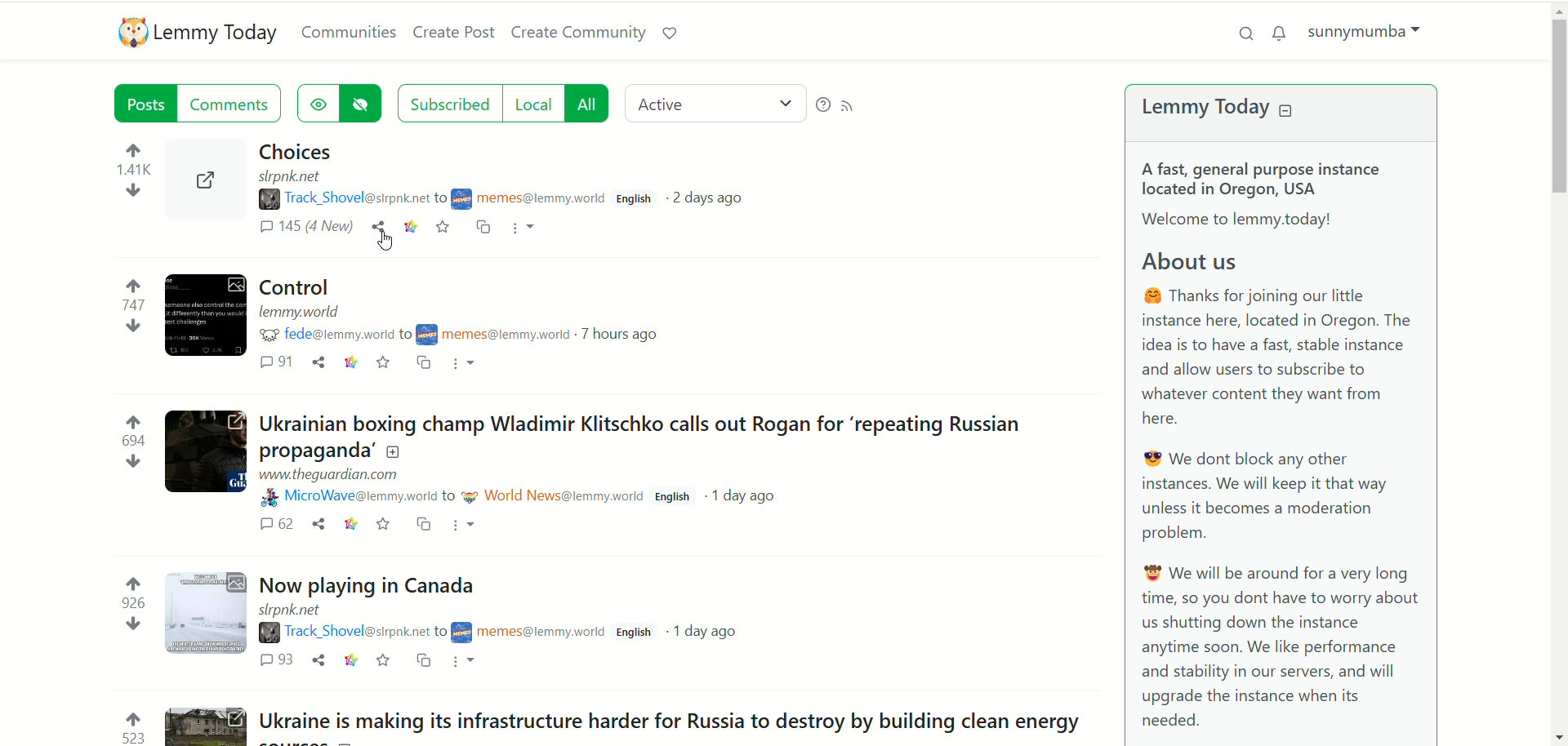 Image resolution: width=1568 pixels, height=746 pixels. Describe the element at coordinates (342, 633) in the screenshot. I see `username` at that location.